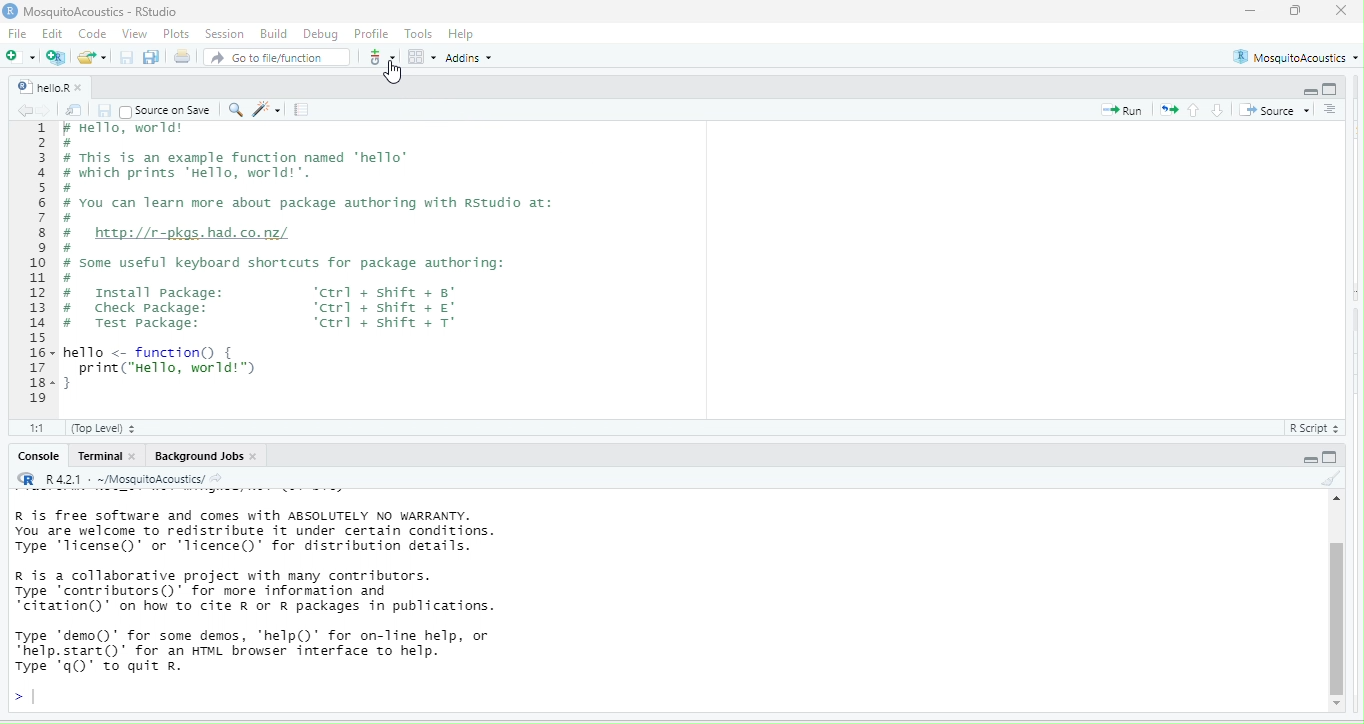 The height and width of the screenshot is (724, 1364). What do you see at coordinates (29, 697) in the screenshot?
I see `typing cursor` at bounding box center [29, 697].